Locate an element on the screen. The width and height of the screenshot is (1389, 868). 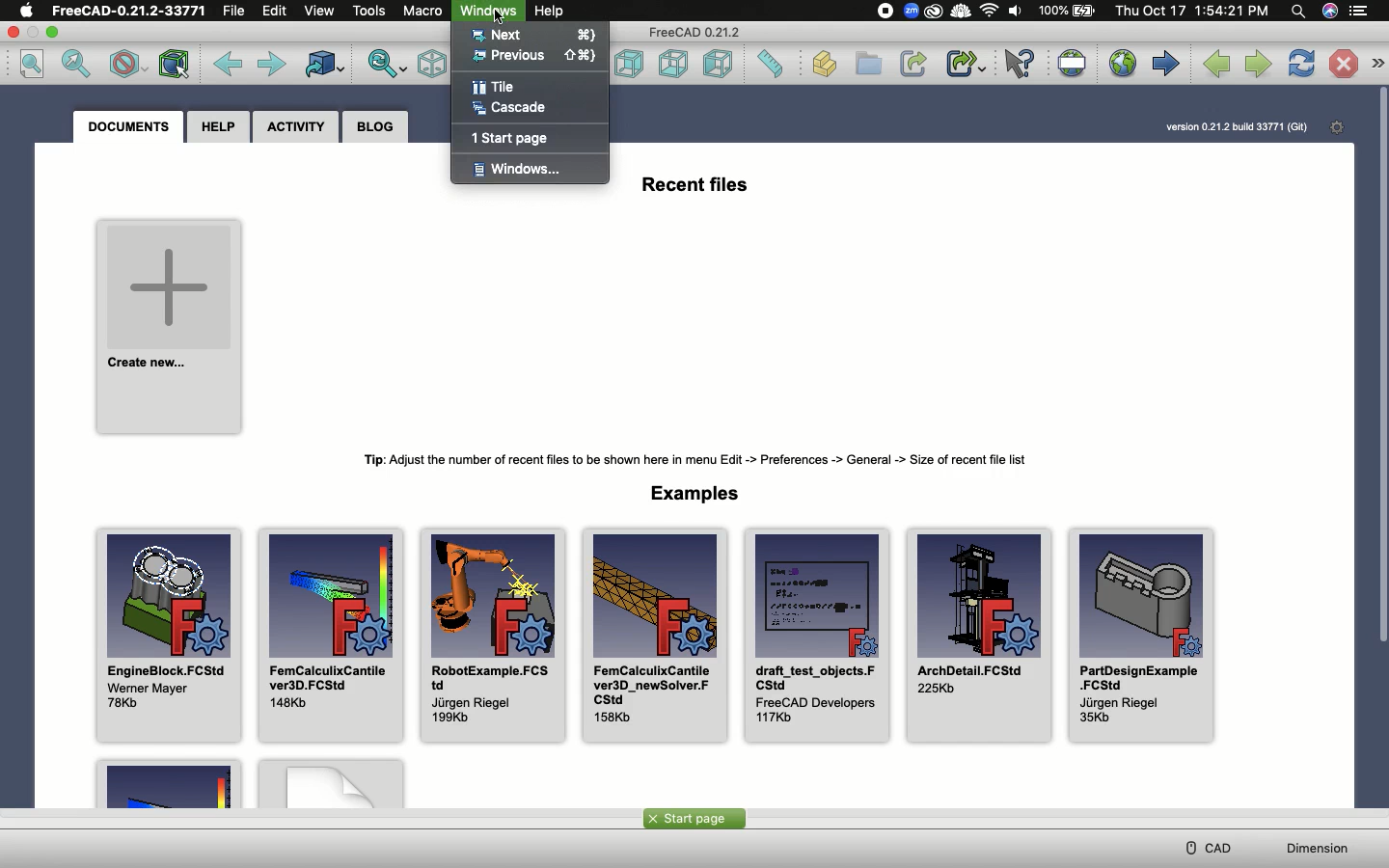
Scroll is located at coordinates (1380, 366).